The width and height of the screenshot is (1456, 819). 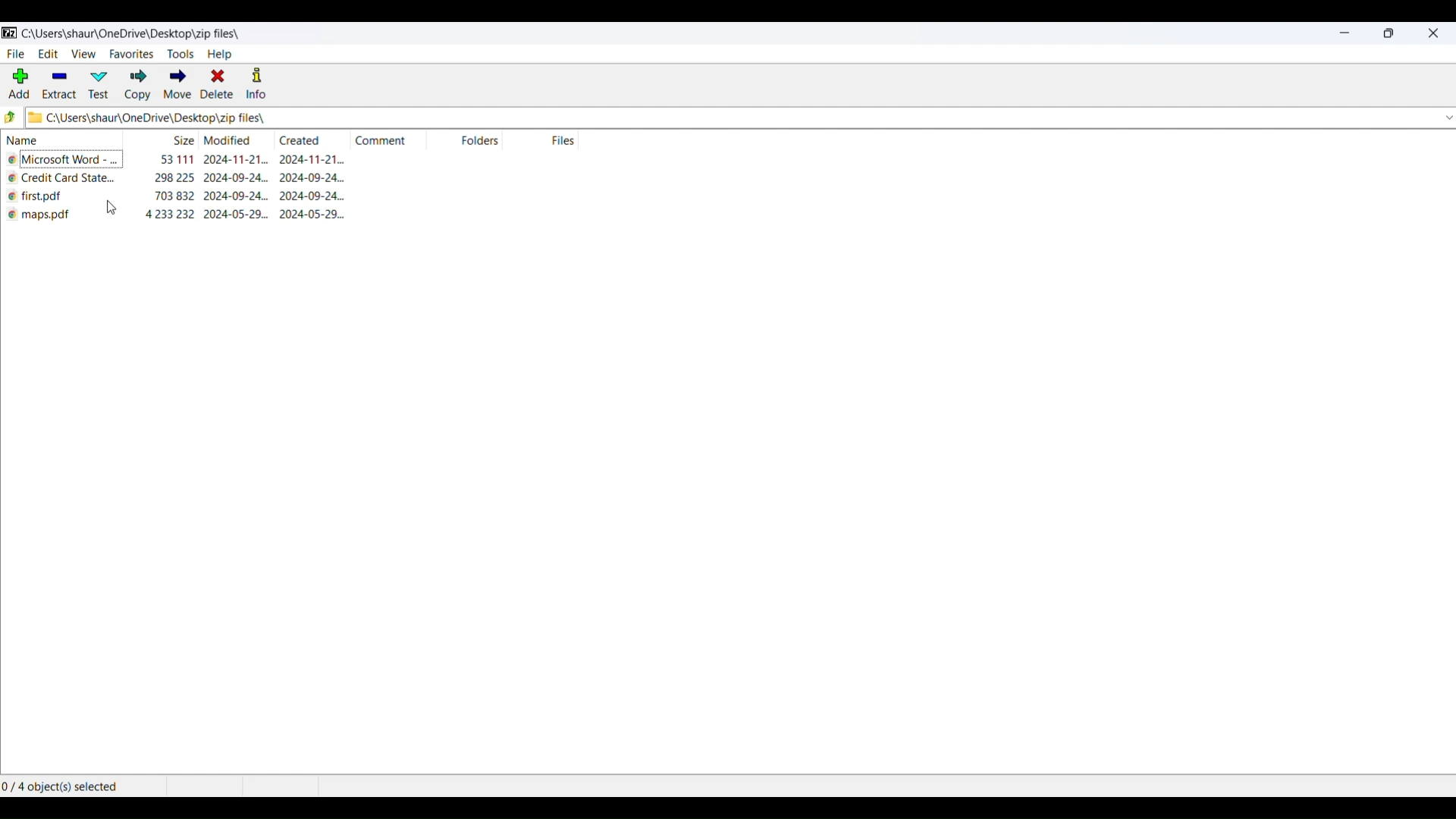 What do you see at coordinates (48, 199) in the screenshot?
I see `file name` at bounding box center [48, 199].